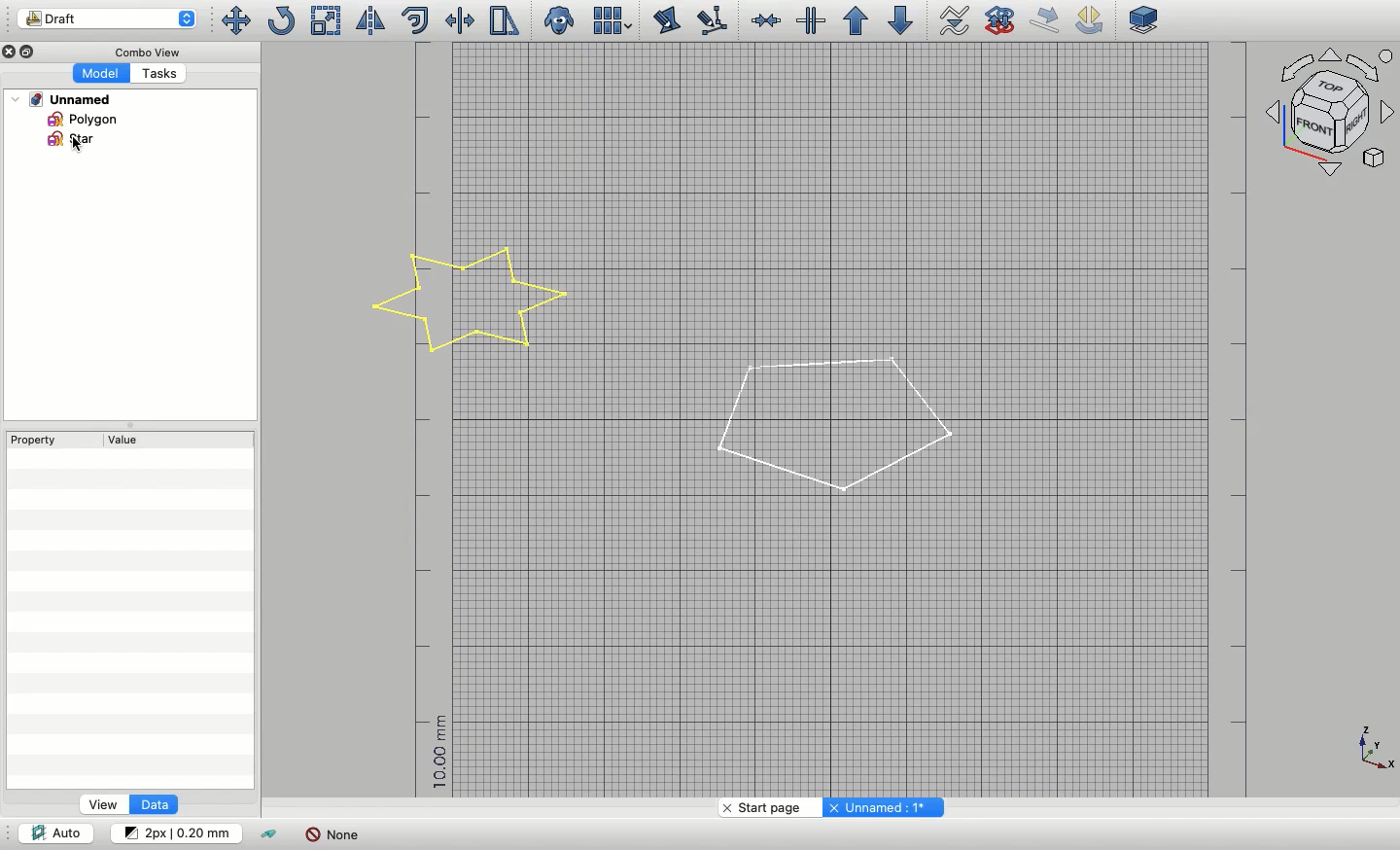 The width and height of the screenshot is (1400, 850). I want to click on Toggle construction mode, so click(270, 835).